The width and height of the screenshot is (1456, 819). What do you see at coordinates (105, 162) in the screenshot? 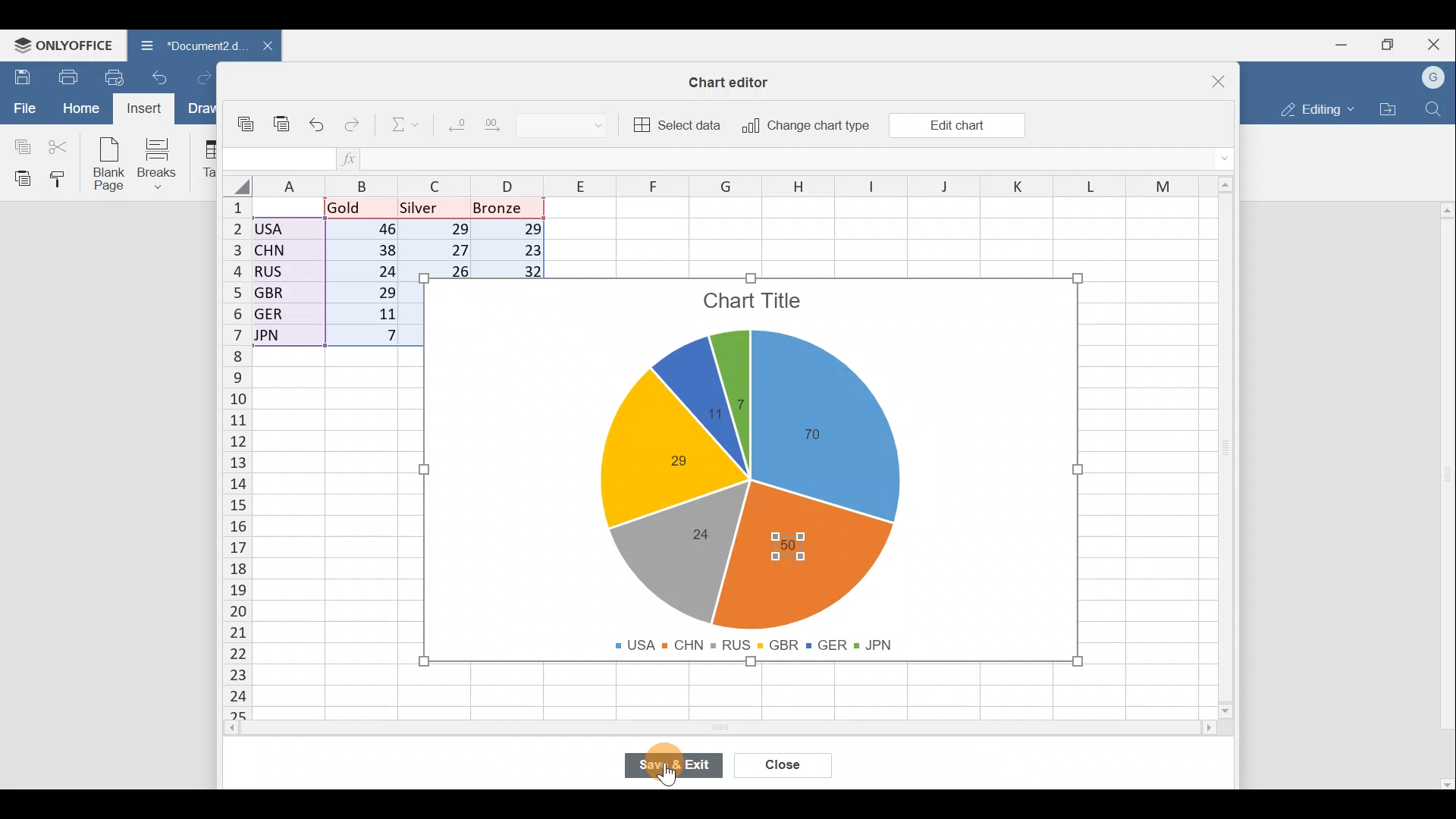
I see `Blank page` at bounding box center [105, 162].